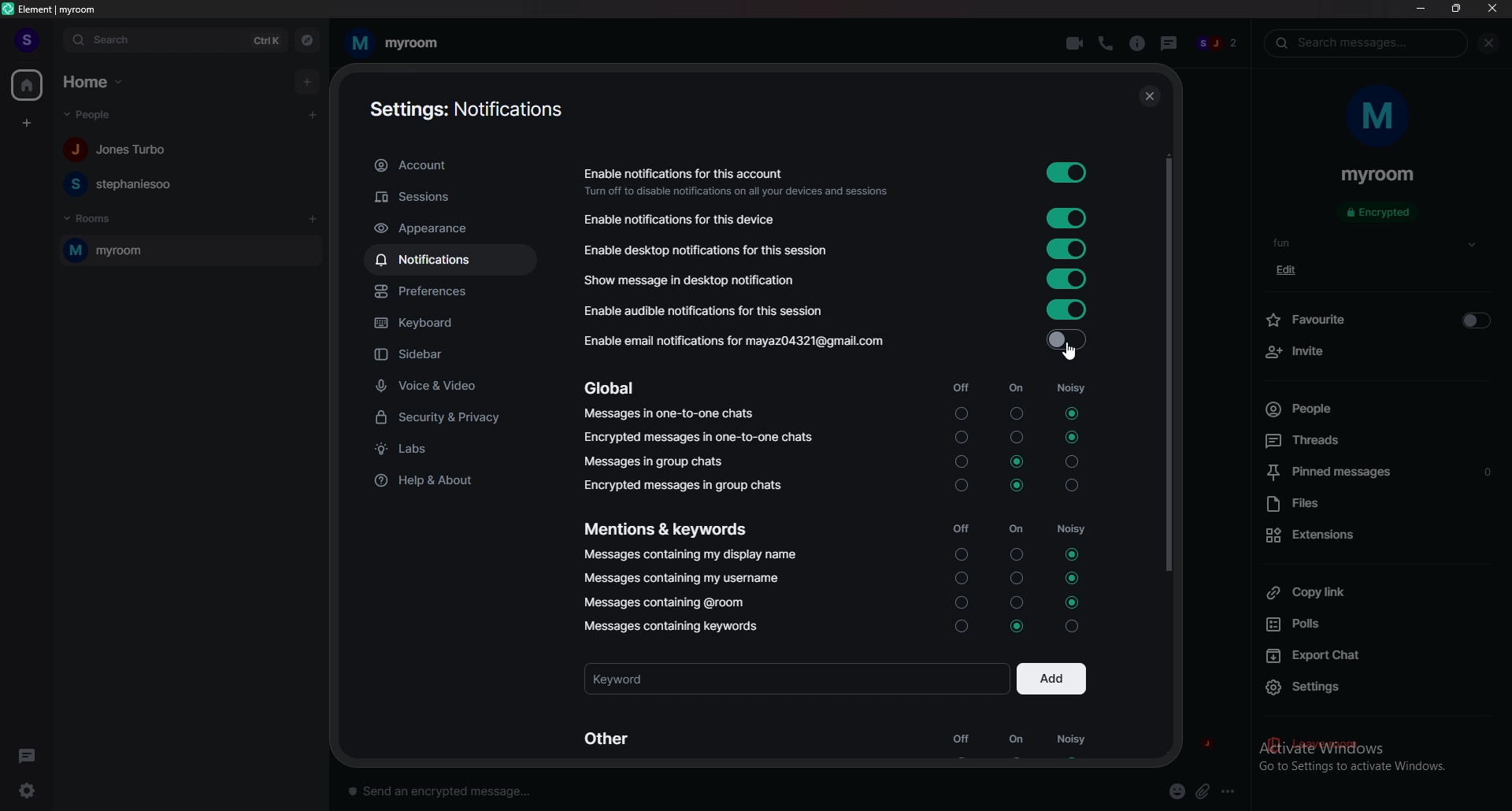 This screenshot has width=1512, height=811. I want to click on messages containing my display name, so click(689, 555).